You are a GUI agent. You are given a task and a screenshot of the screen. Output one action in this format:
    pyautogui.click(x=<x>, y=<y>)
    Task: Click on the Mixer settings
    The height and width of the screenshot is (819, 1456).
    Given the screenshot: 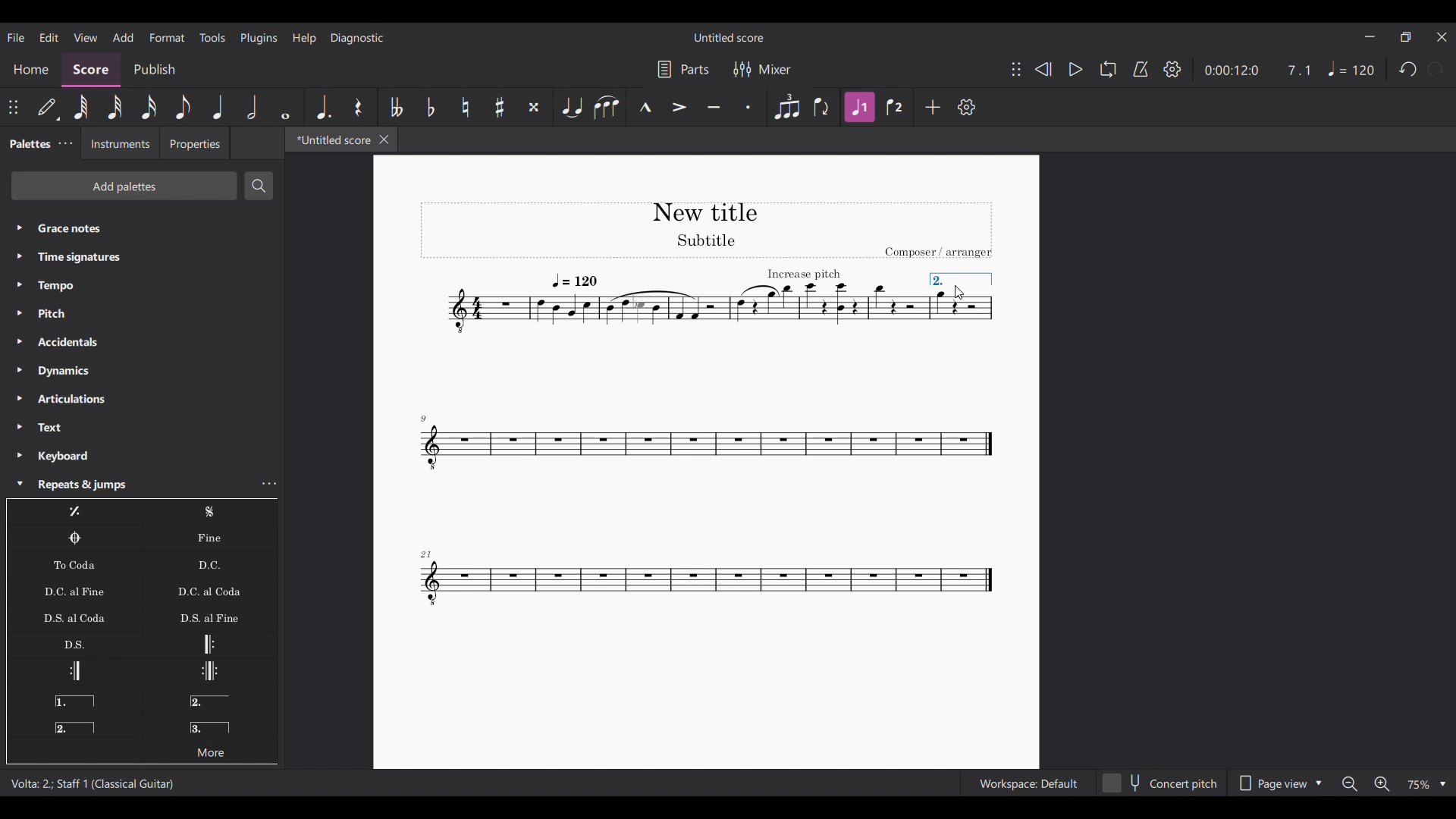 What is the action you would take?
    pyautogui.click(x=763, y=69)
    